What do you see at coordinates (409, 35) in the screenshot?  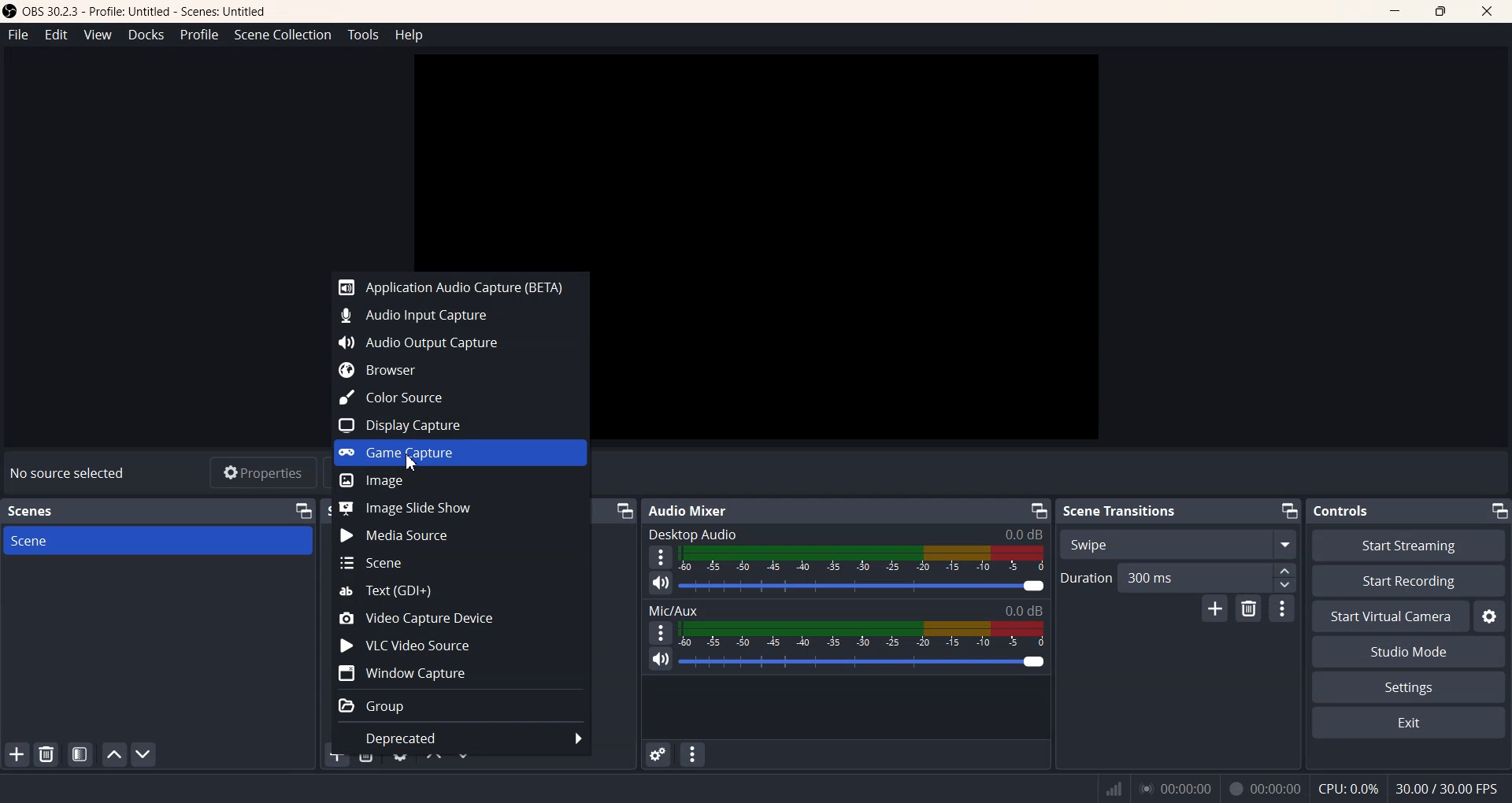 I see `Help` at bounding box center [409, 35].